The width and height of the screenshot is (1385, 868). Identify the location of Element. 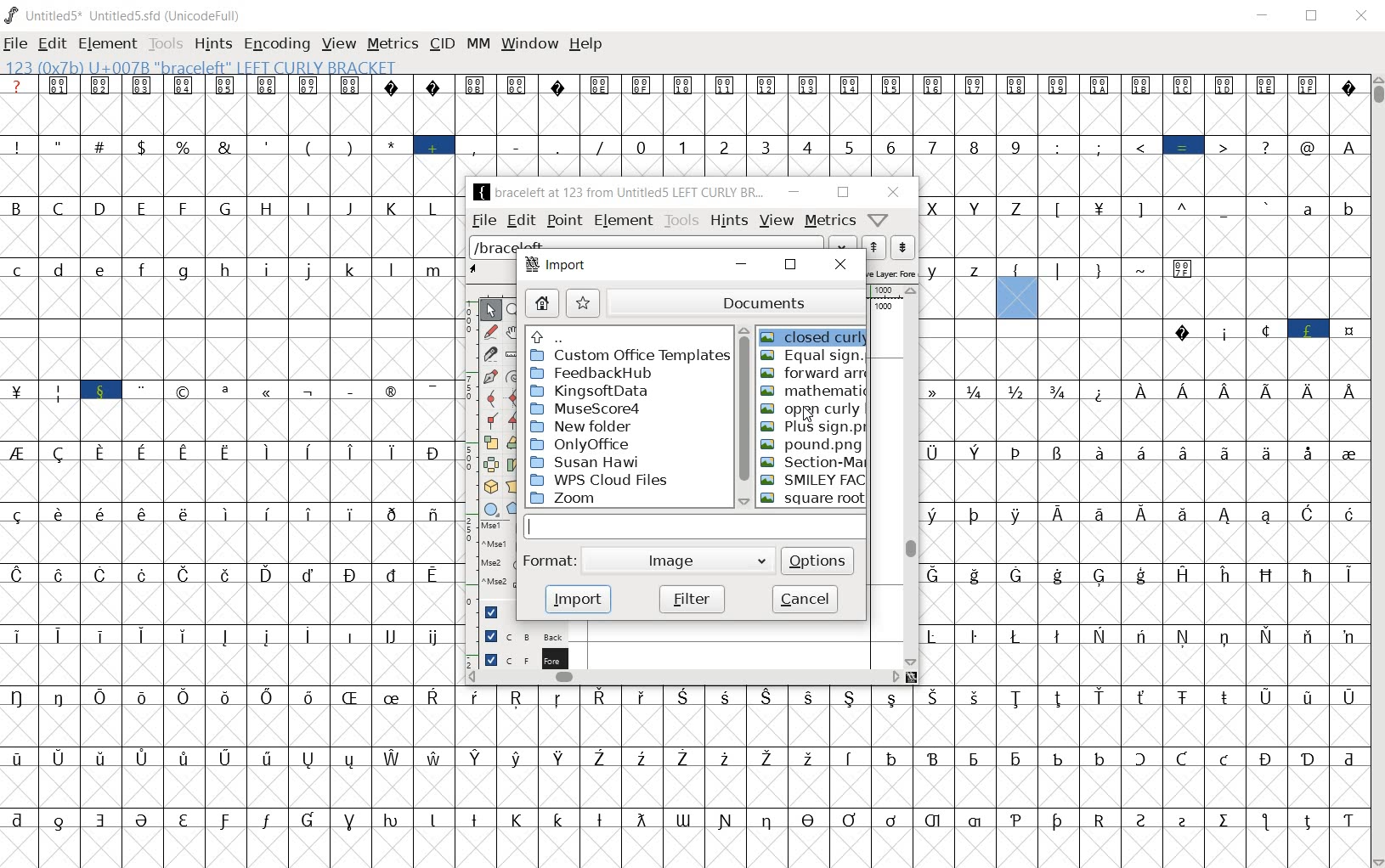
(624, 221).